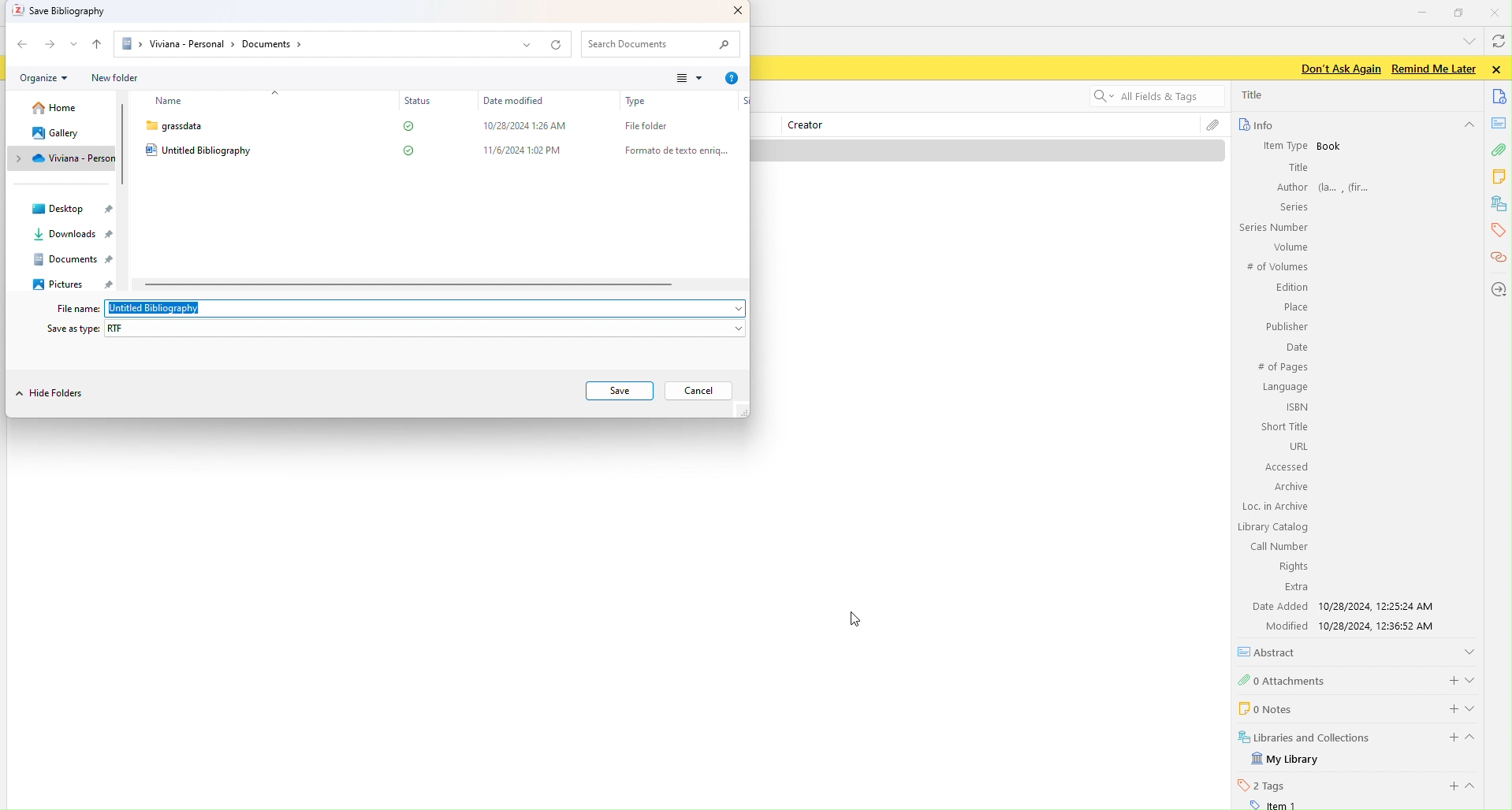 This screenshot has width=1512, height=810. I want to click on # of Volumes, so click(1276, 267).